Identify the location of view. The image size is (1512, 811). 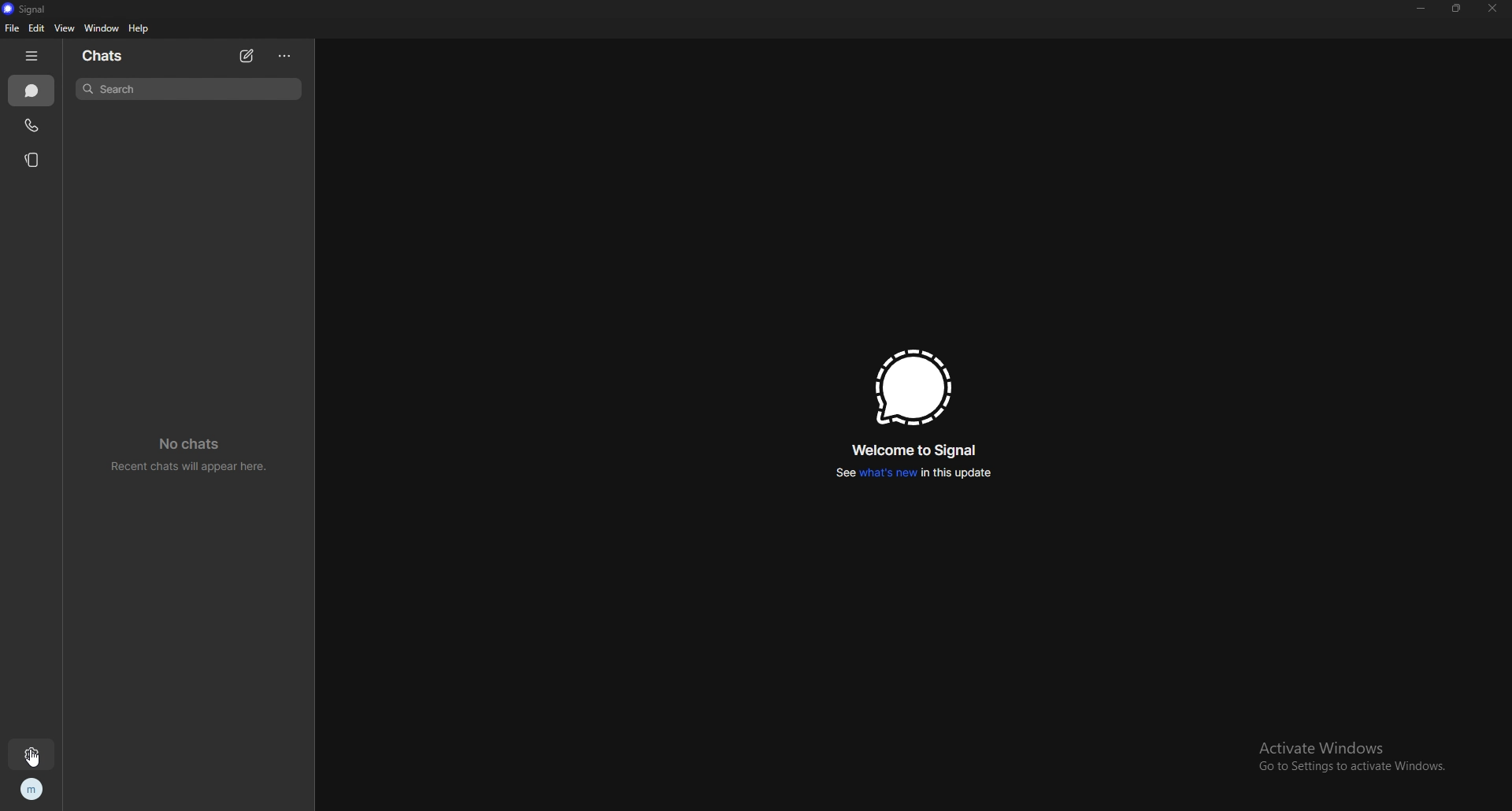
(64, 28).